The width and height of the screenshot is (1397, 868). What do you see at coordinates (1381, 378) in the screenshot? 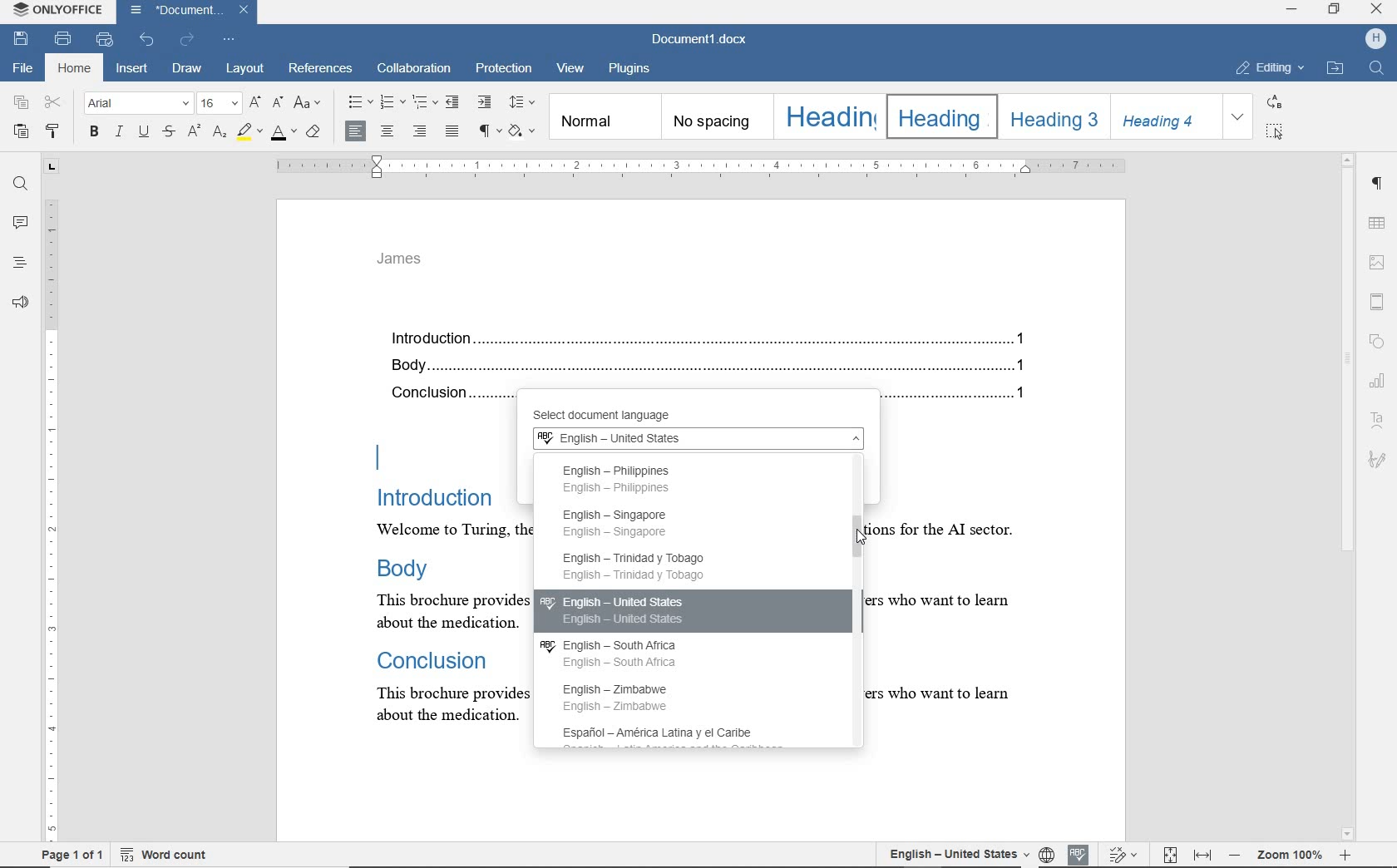
I see `charts` at bounding box center [1381, 378].